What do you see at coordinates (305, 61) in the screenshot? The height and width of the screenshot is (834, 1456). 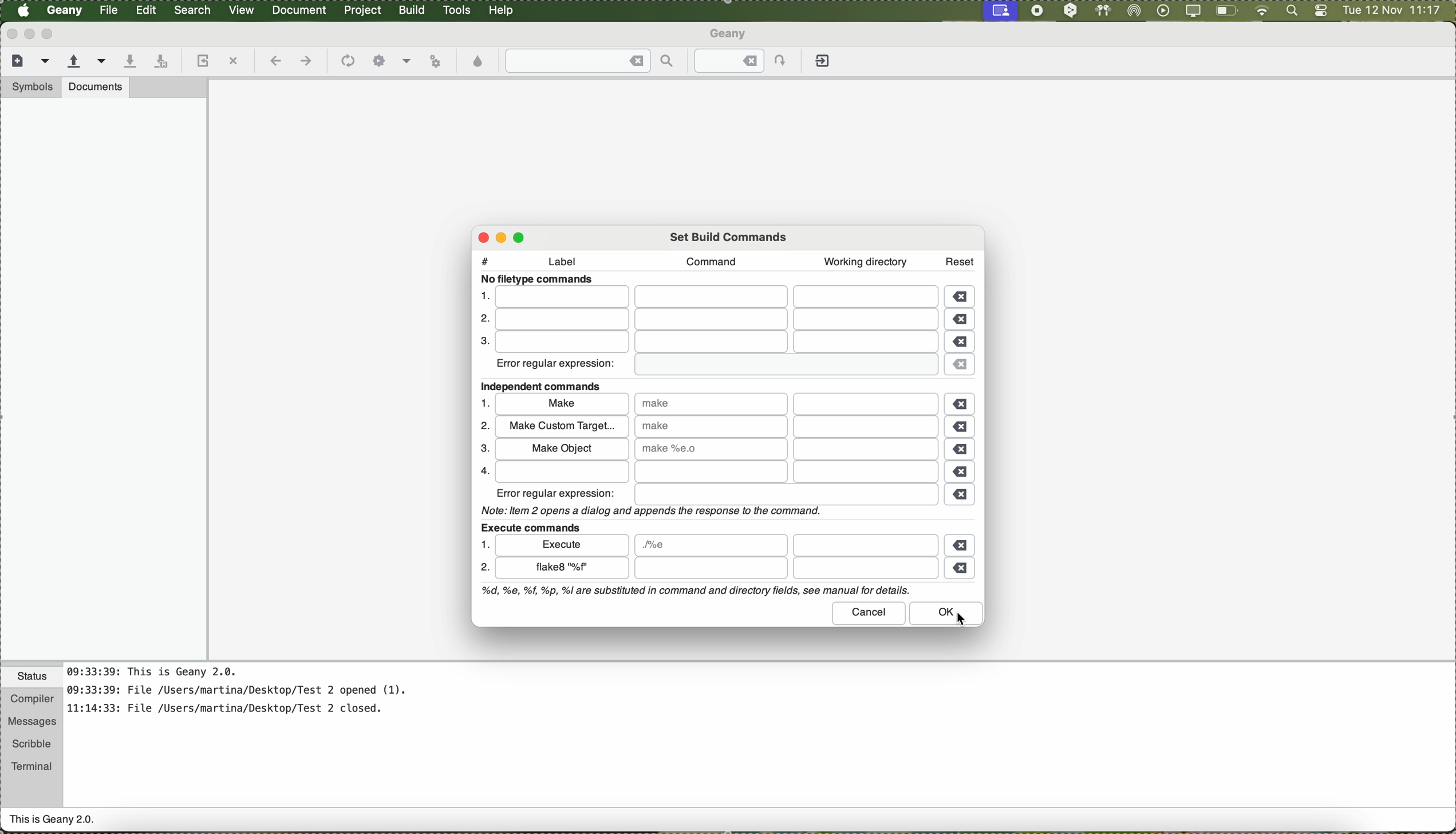 I see `navigate foward a location` at bounding box center [305, 61].